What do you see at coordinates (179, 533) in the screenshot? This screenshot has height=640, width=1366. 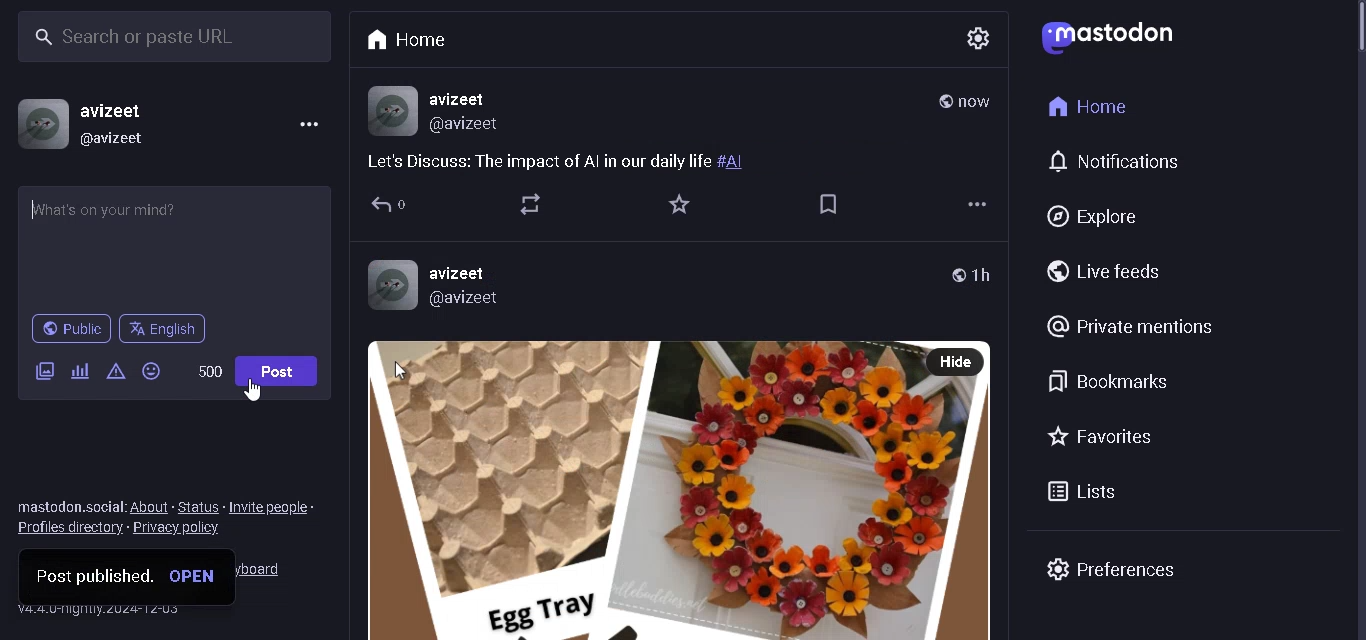 I see `PRIVACY POLICY` at bounding box center [179, 533].